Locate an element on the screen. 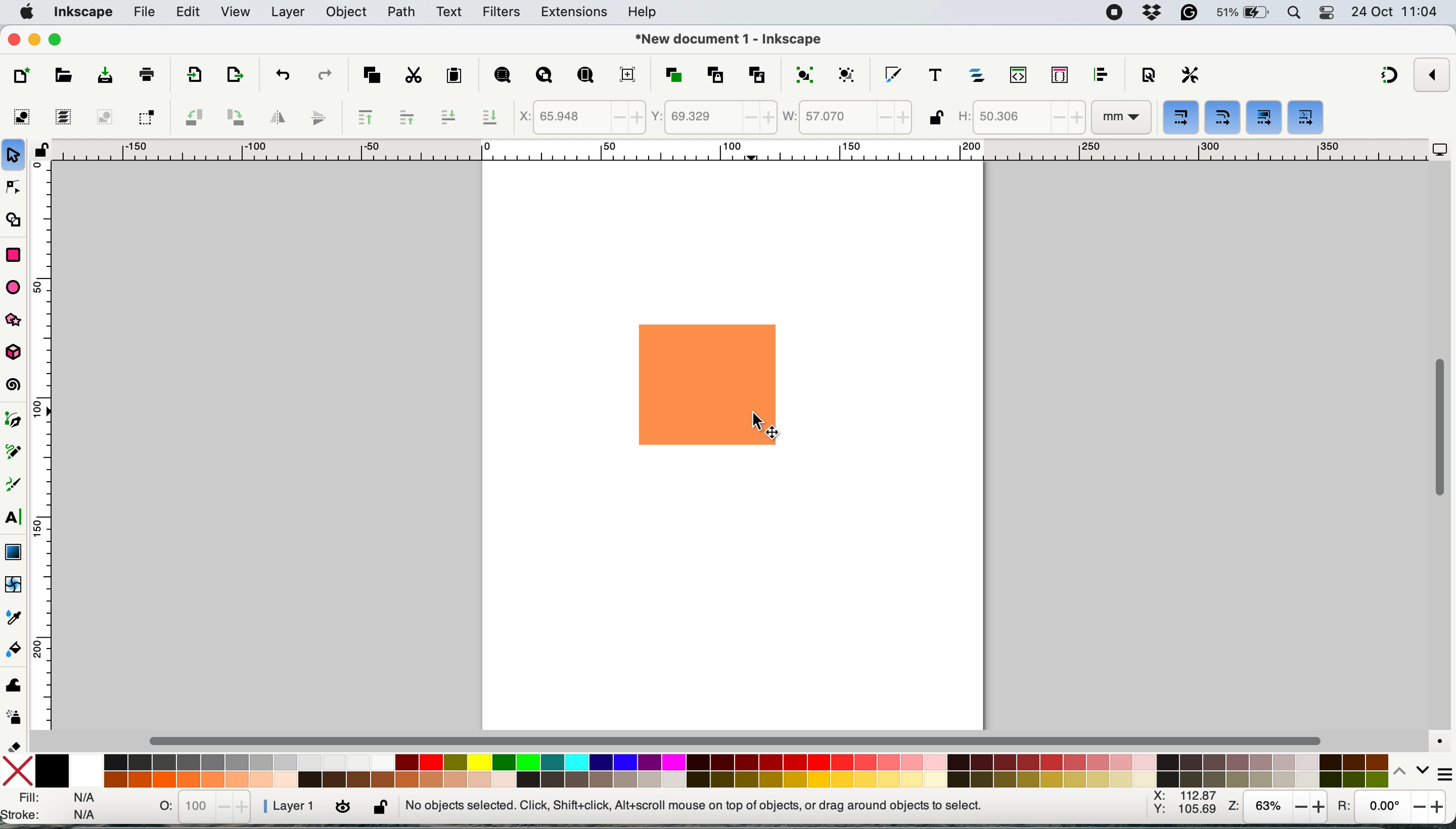 This screenshot has height=829, width=1456. object rotate 90 ccw is located at coordinates (192, 118).